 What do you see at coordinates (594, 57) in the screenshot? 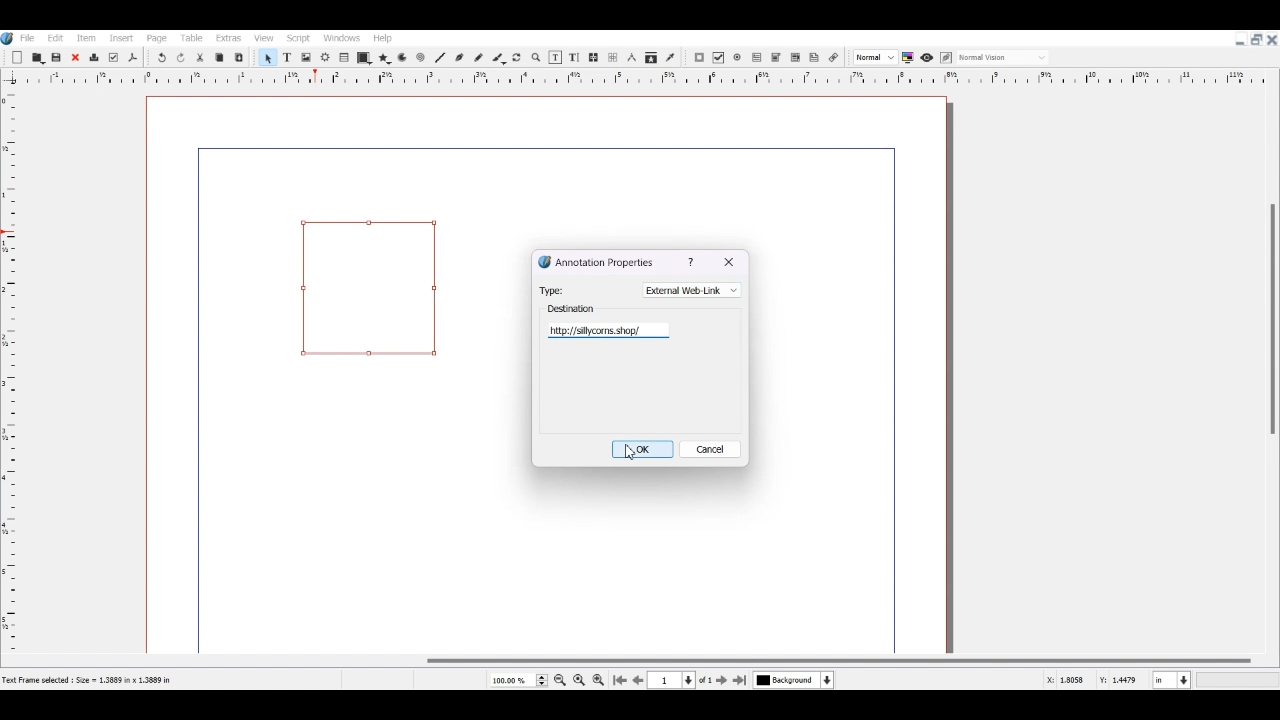
I see `Link text Frame` at bounding box center [594, 57].